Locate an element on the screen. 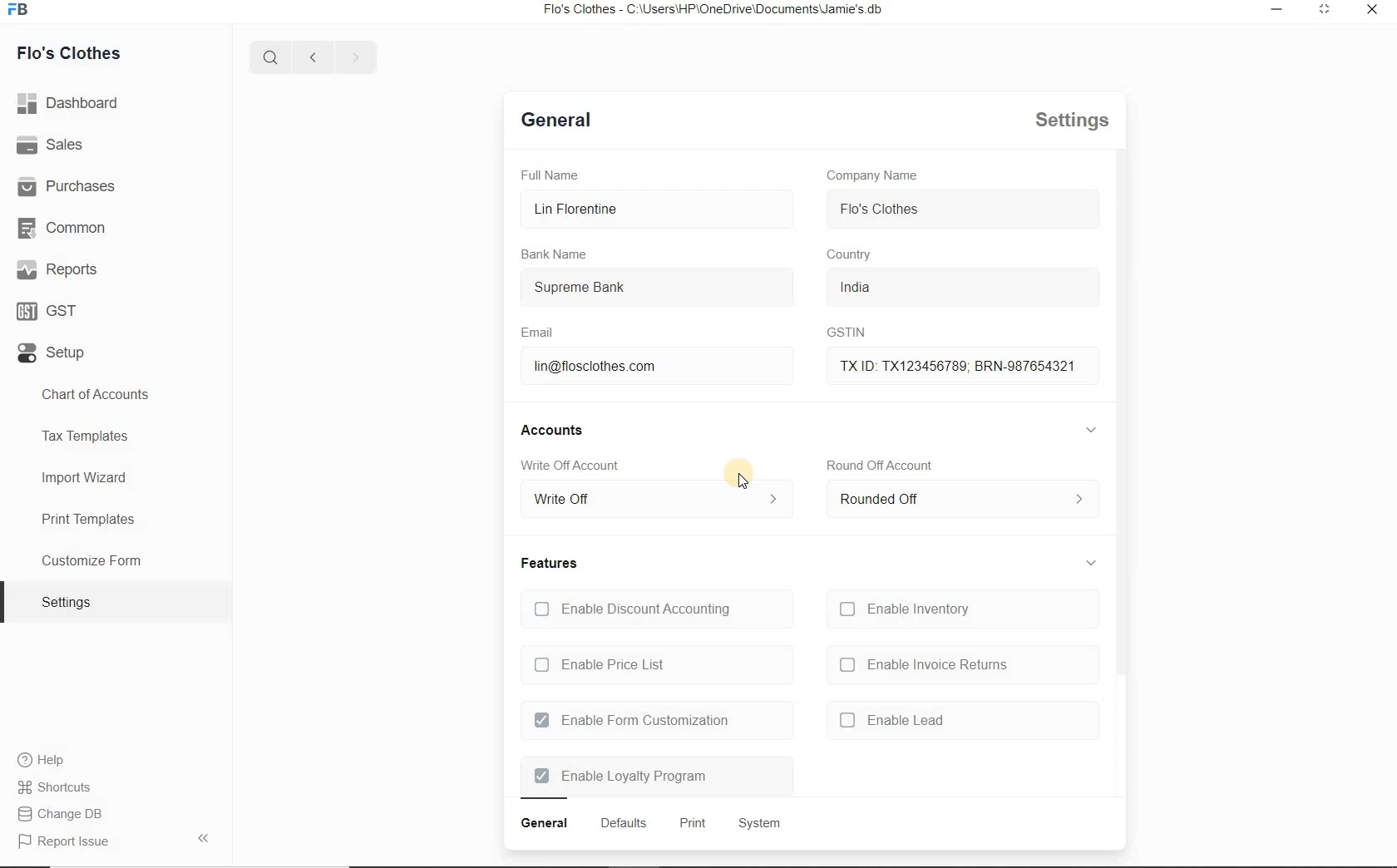 The height and width of the screenshot is (868, 1397). Defaults is located at coordinates (623, 823).